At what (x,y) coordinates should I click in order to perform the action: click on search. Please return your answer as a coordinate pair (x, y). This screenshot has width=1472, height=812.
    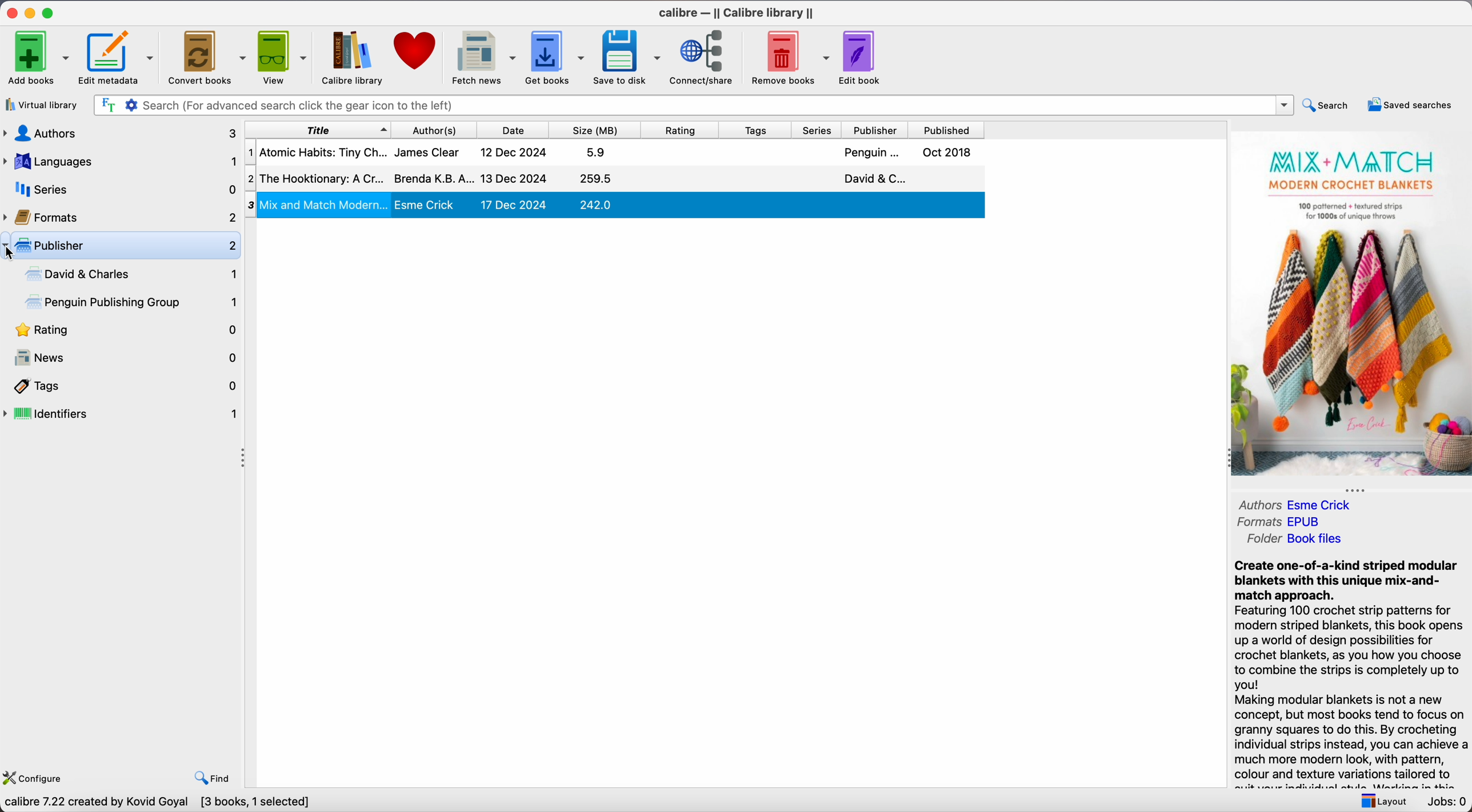
    Looking at the image, I should click on (1327, 104).